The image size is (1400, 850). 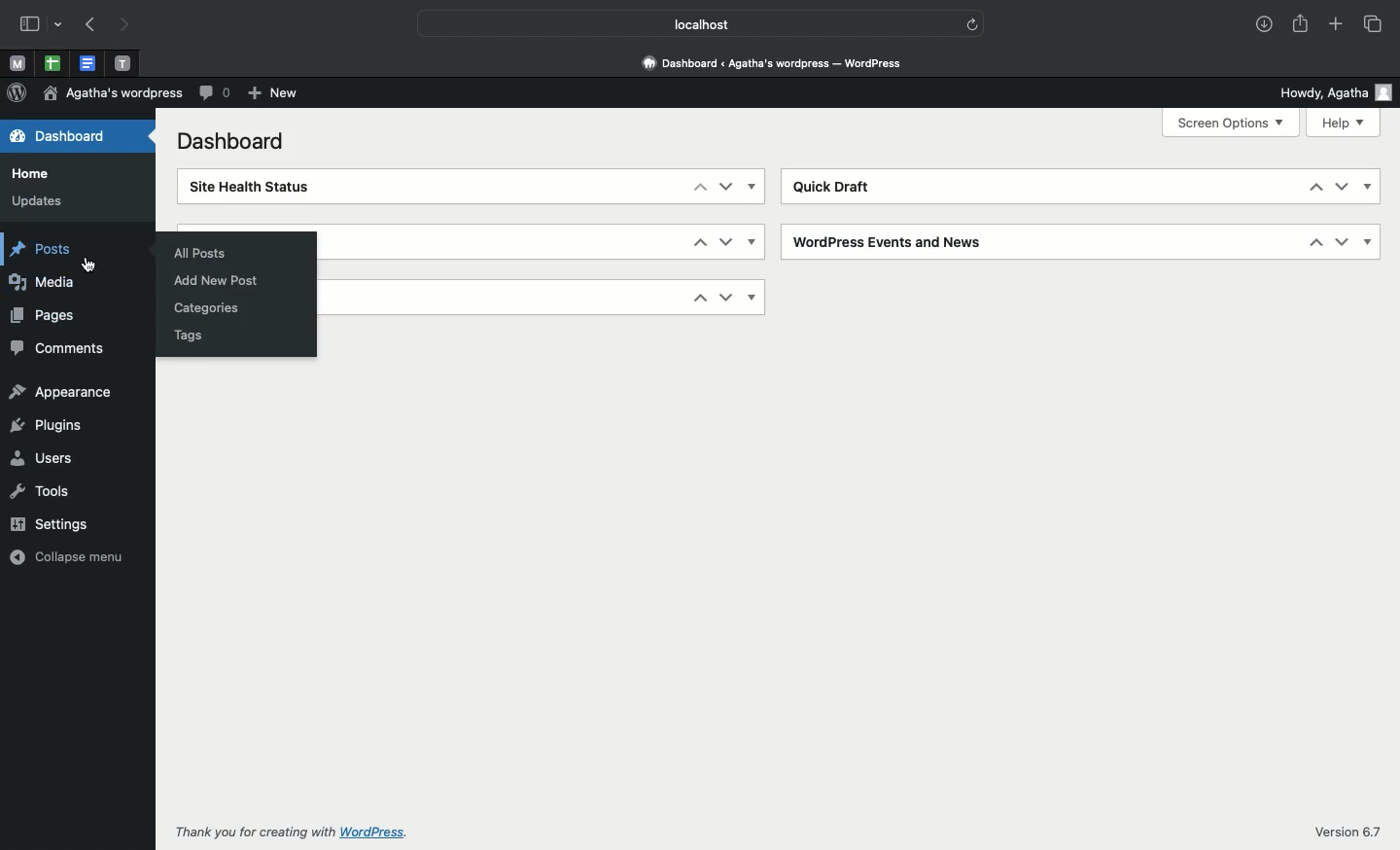 What do you see at coordinates (700, 241) in the screenshot?
I see `Up` at bounding box center [700, 241].